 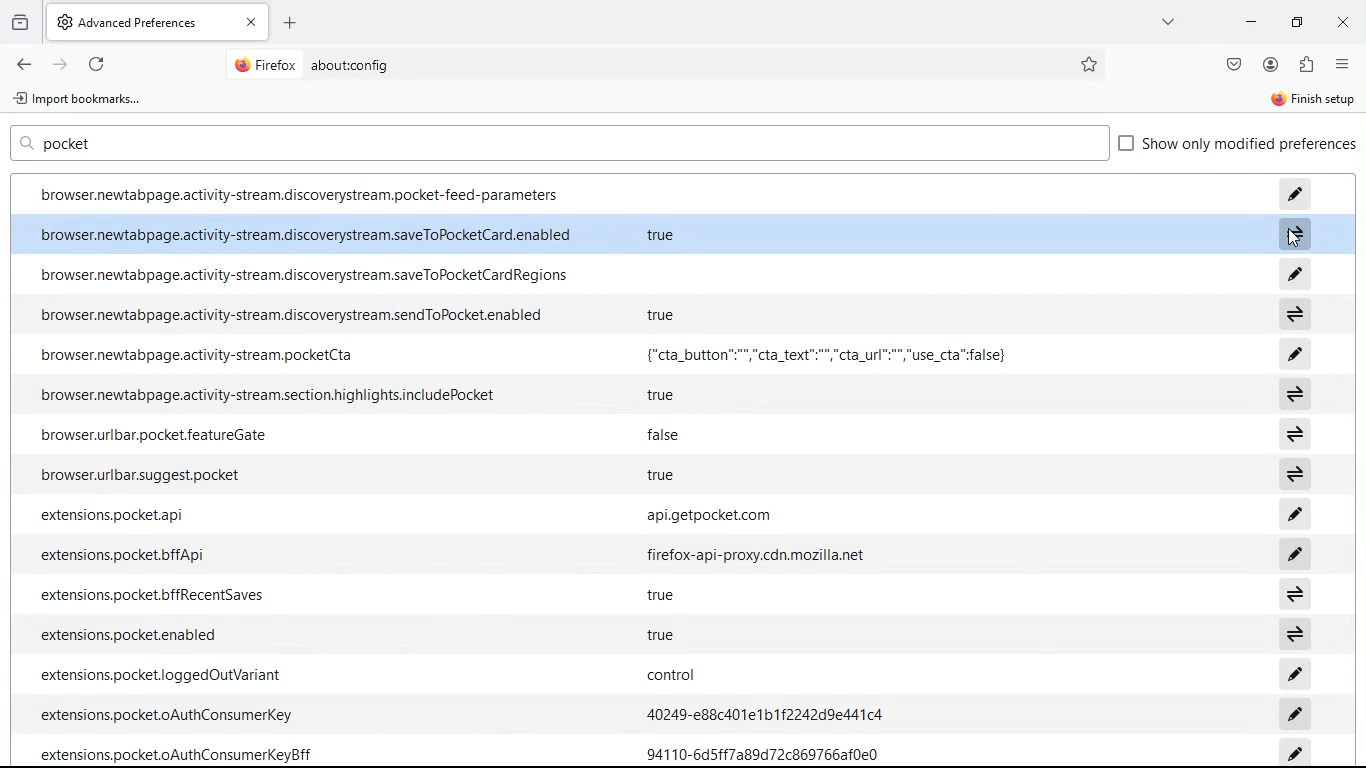 What do you see at coordinates (1295, 237) in the screenshot?
I see `Cursor` at bounding box center [1295, 237].